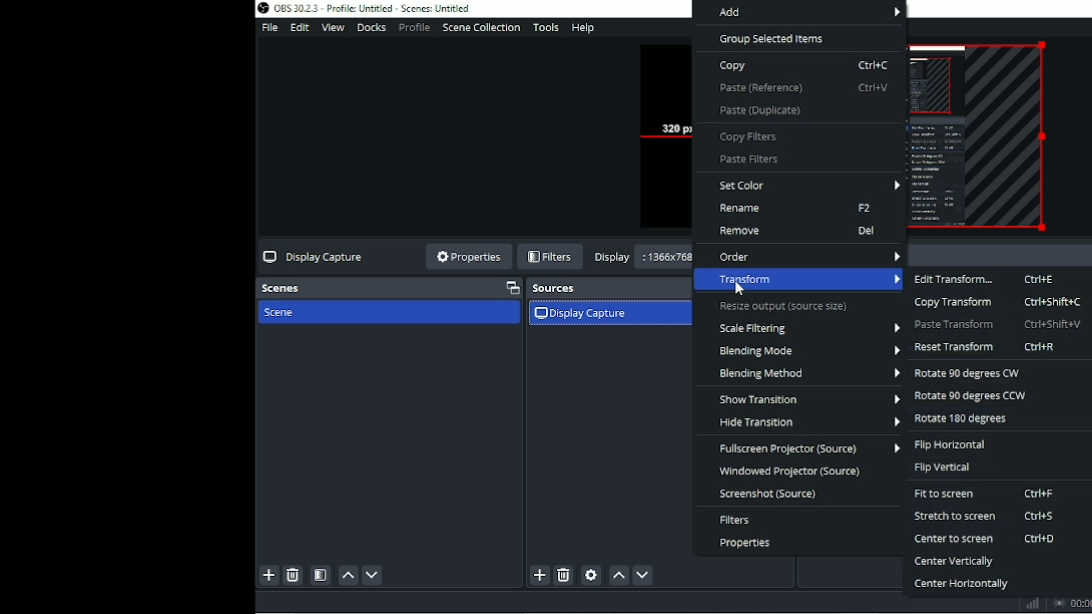 This screenshot has height=614, width=1092. What do you see at coordinates (347, 575) in the screenshot?
I see `Move scene up` at bounding box center [347, 575].